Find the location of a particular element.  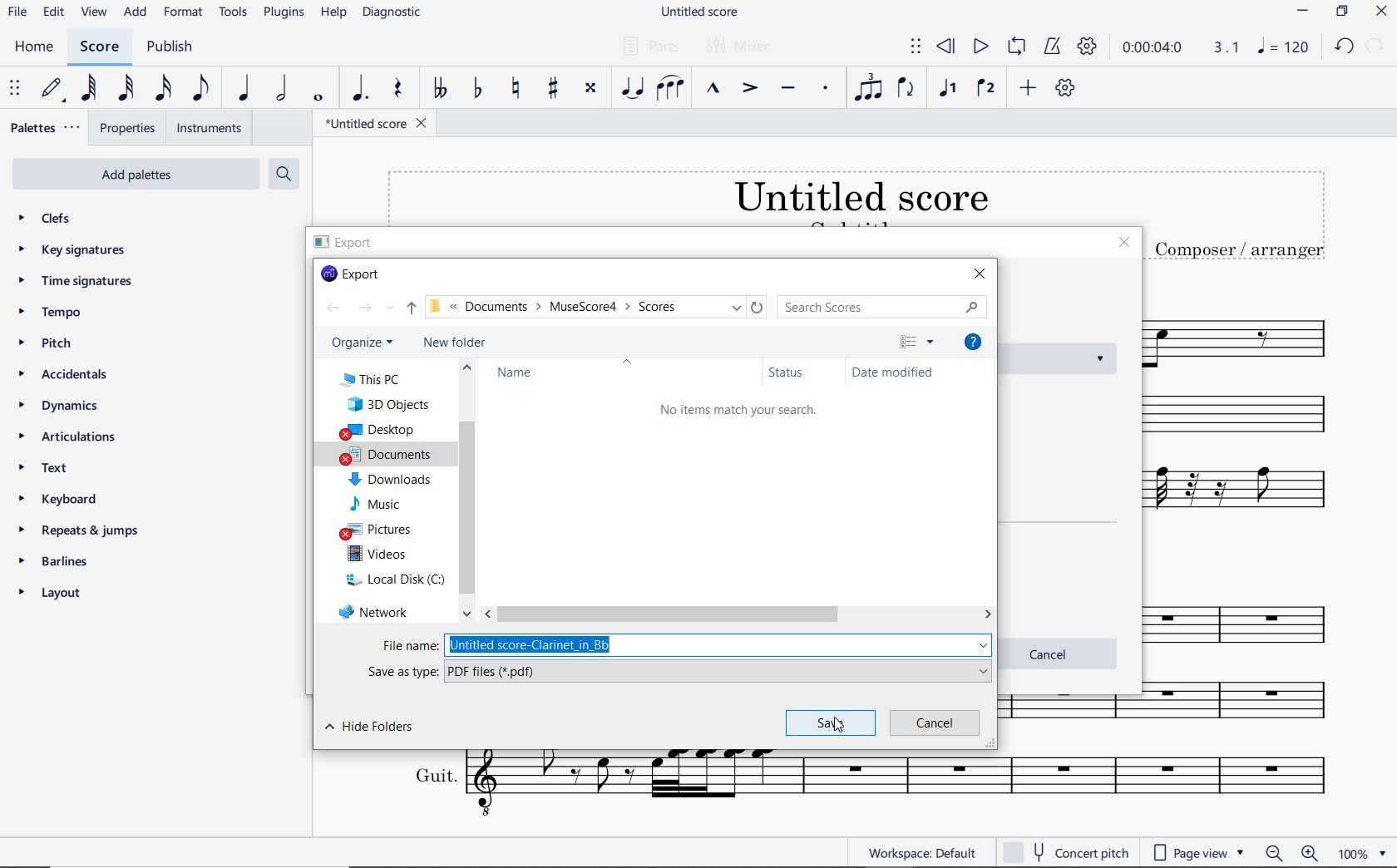

barlines is located at coordinates (61, 560).